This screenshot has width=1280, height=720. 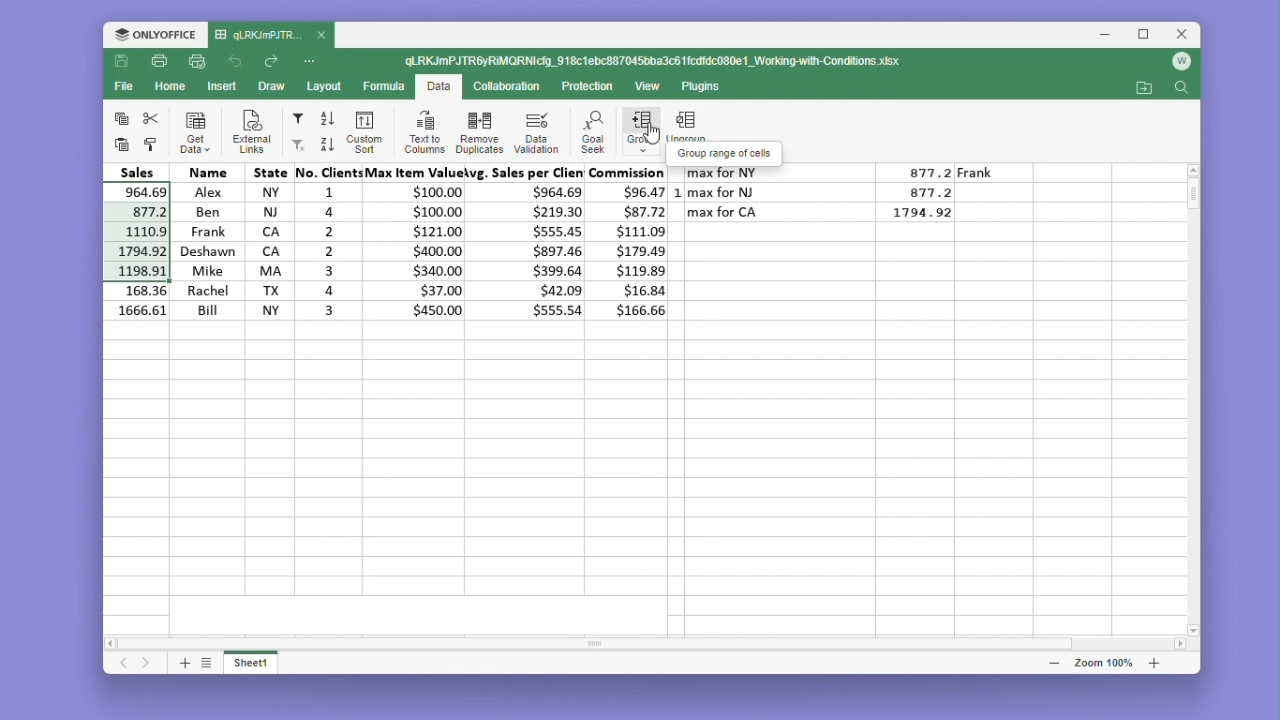 I want to click on File, so click(x=127, y=86).